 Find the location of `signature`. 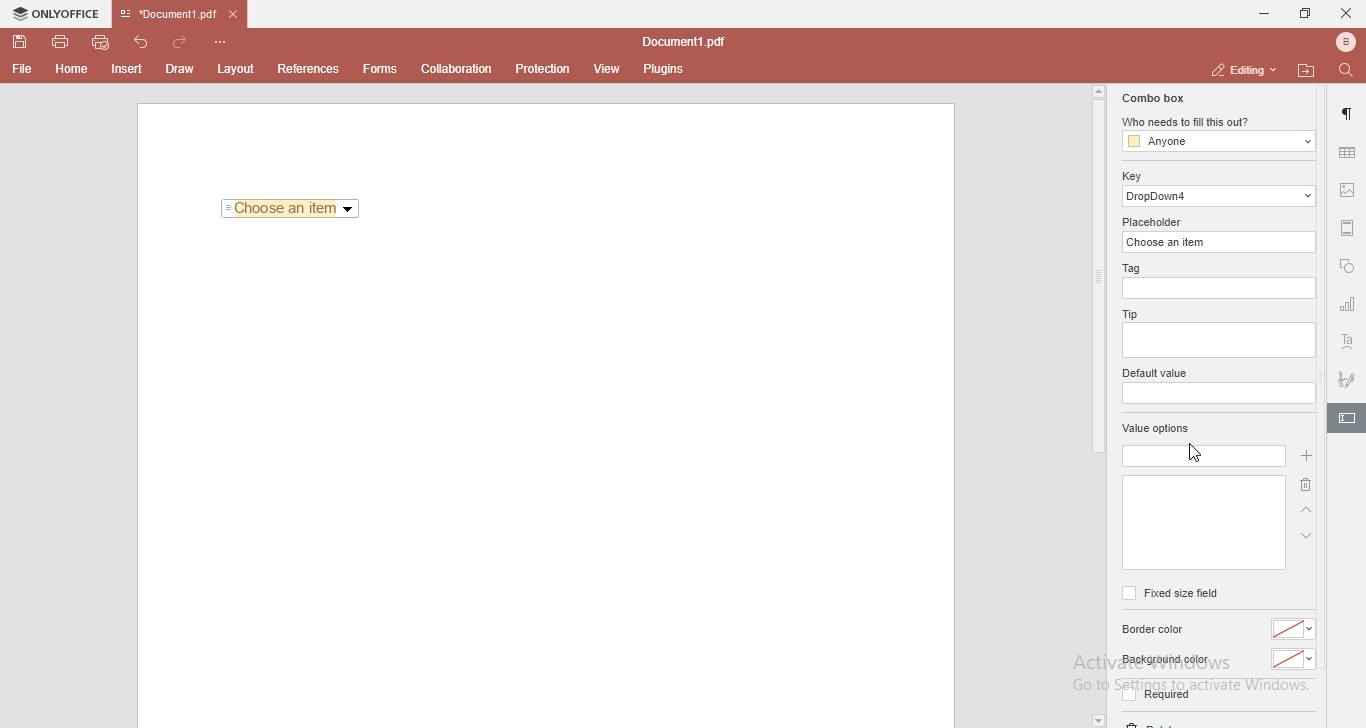

signature is located at coordinates (1348, 376).